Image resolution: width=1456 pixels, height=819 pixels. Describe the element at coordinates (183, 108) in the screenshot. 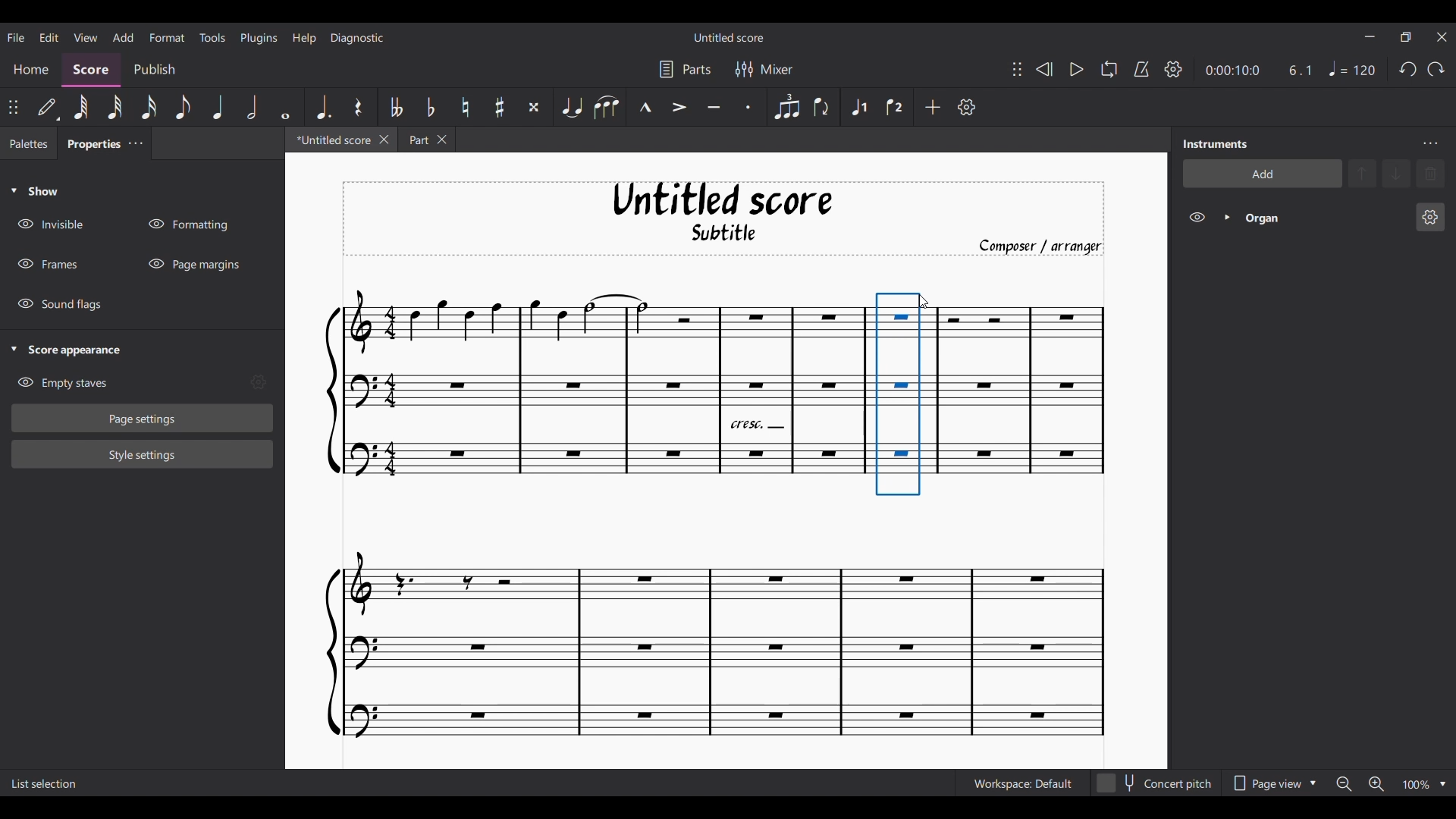

I see `8th note` at that location.